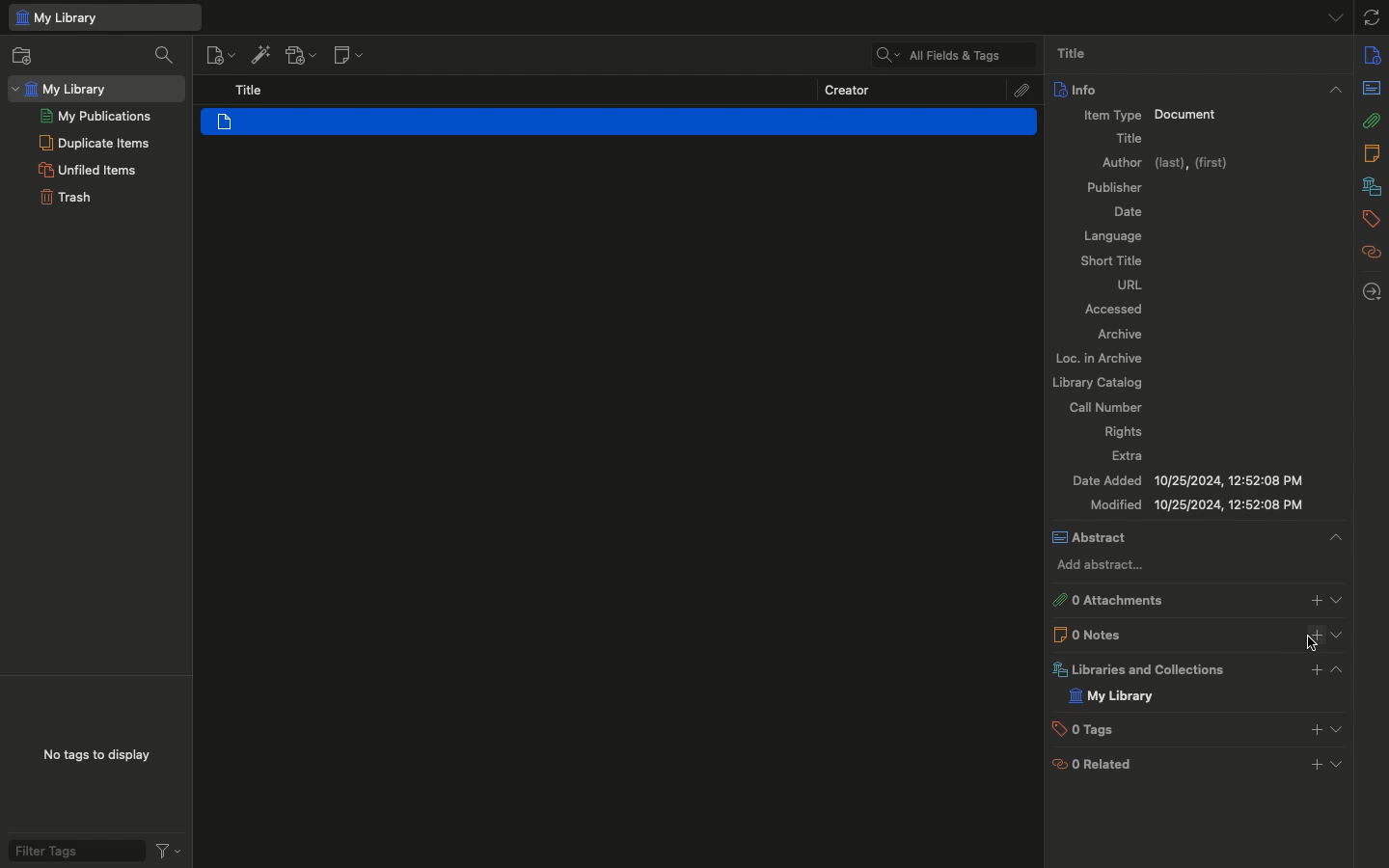 Image resolution: width=1389 pixels, height=868 pixels. Describe the element at coordinates (95, 142) in the screenshot. I see `Duplicate items` at that location.